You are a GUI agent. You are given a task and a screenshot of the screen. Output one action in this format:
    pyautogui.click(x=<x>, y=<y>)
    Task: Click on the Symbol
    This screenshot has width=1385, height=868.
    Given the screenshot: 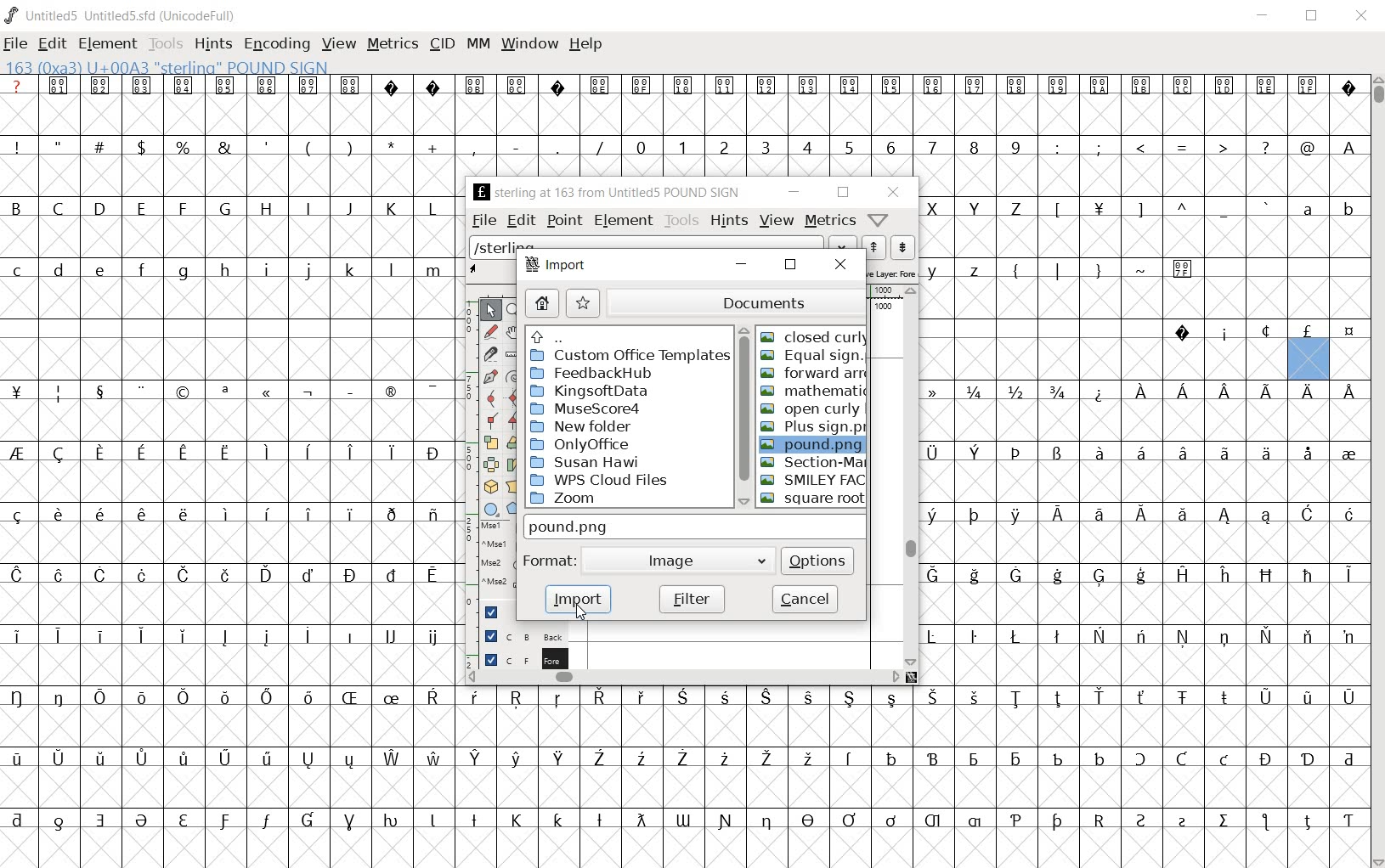 What is the action you would take?
    pyautogui.click(x=1143, y=699)
    